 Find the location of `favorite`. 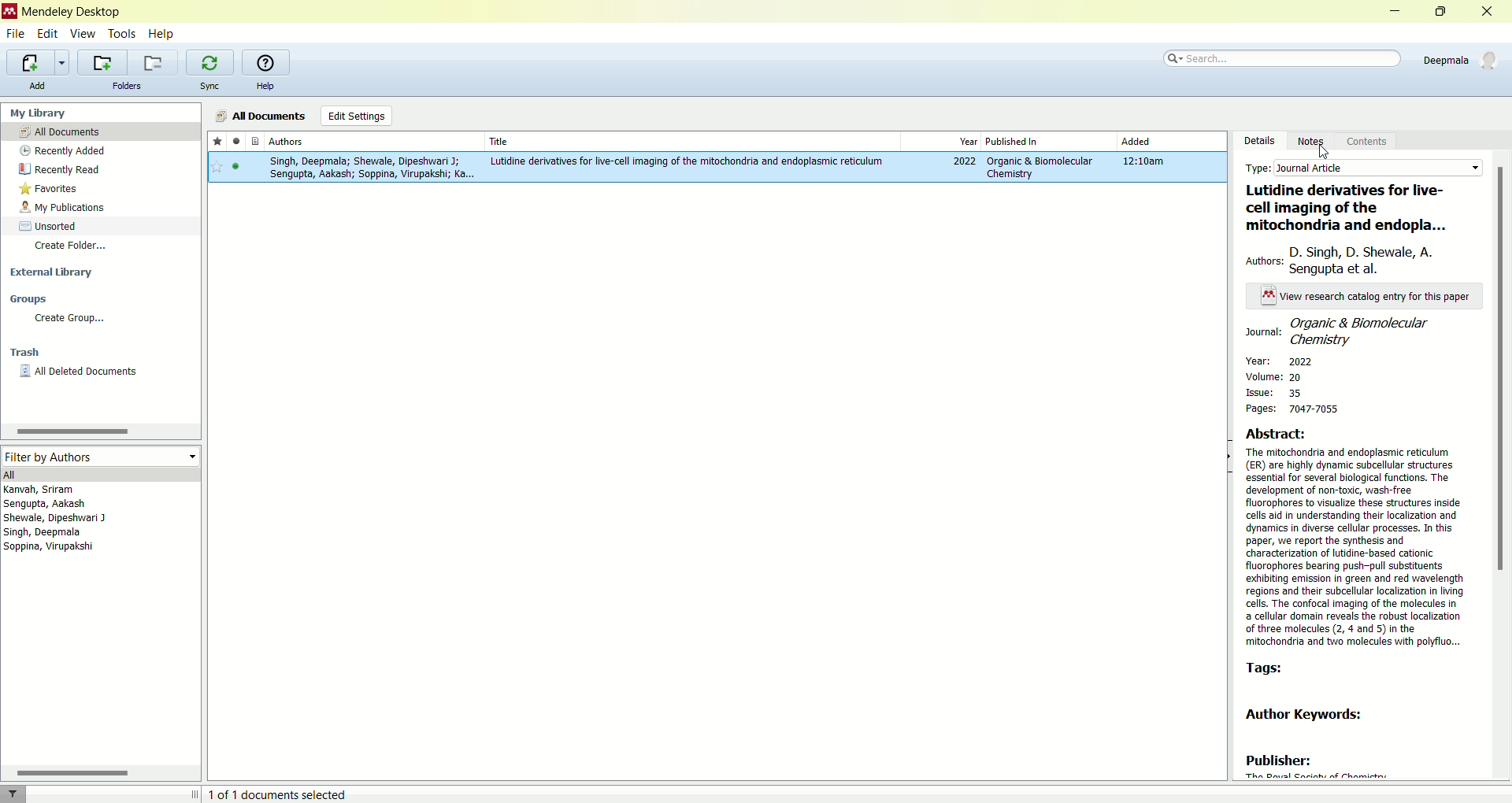

favorite is located at coordinates (217, 142).